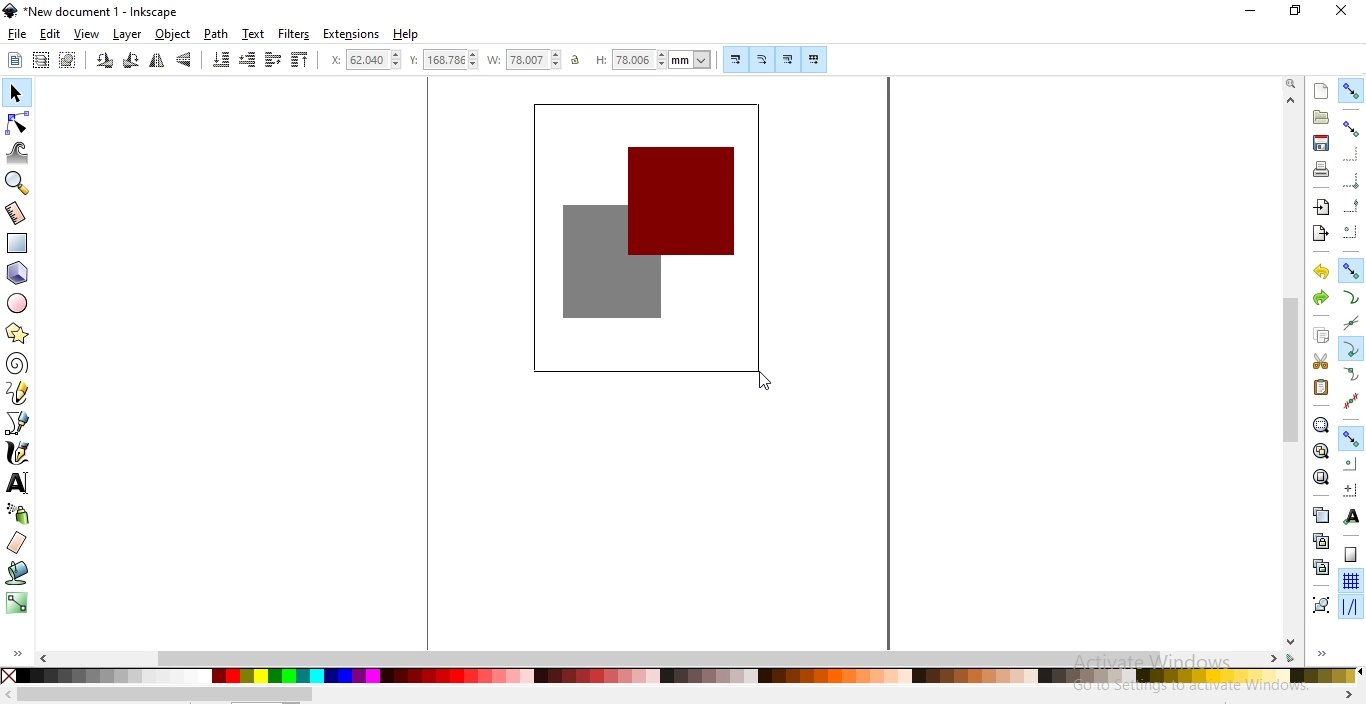 The height and width of the screenshot is (704, 1366). What do you see at coordinates (18, 454) in the screenshot?
I see `draw calligraphic or brush strokes` at bounding box center [18, 454].